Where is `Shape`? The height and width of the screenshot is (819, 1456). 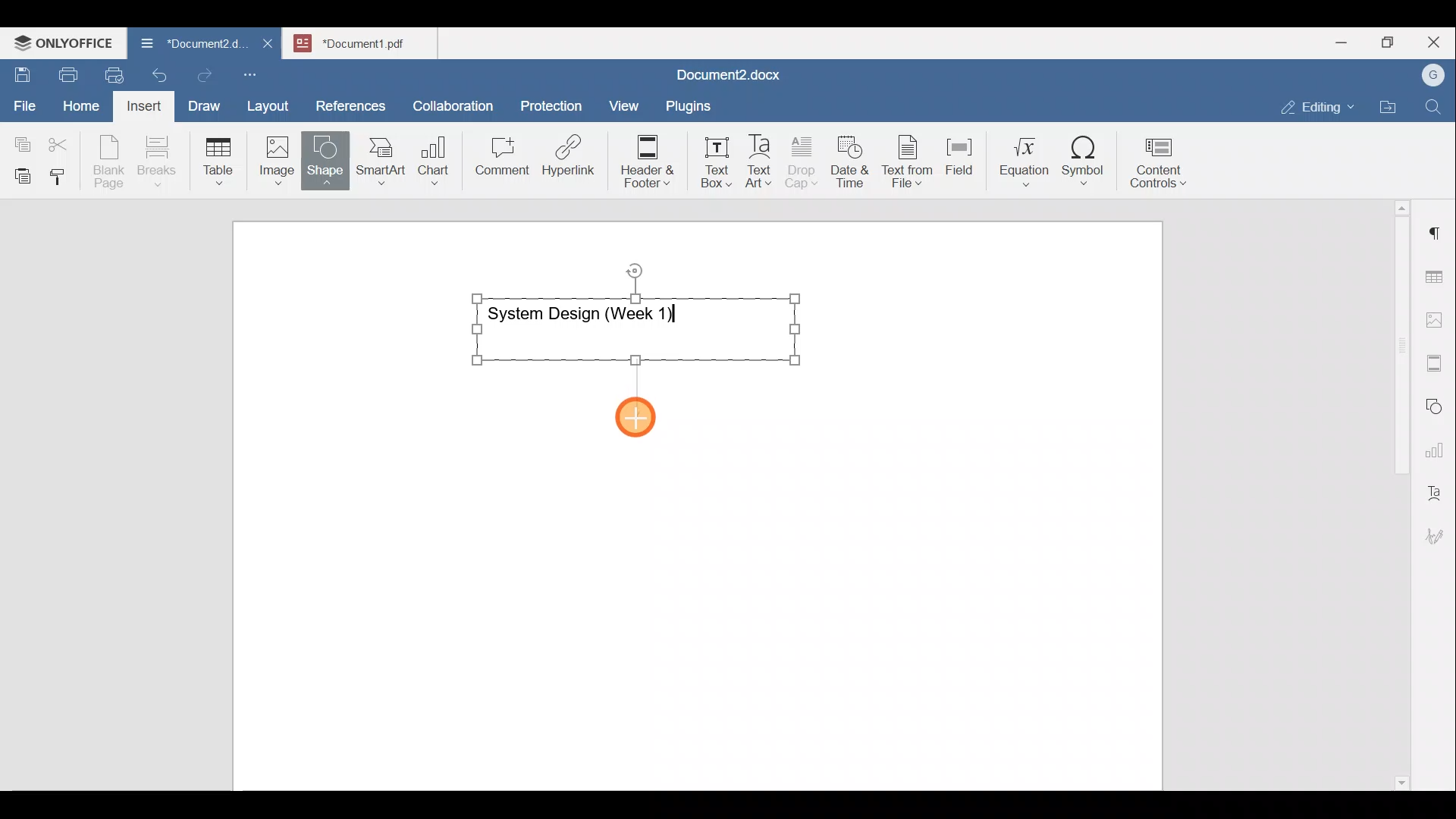 Shape is located at coordinates (327, 153).